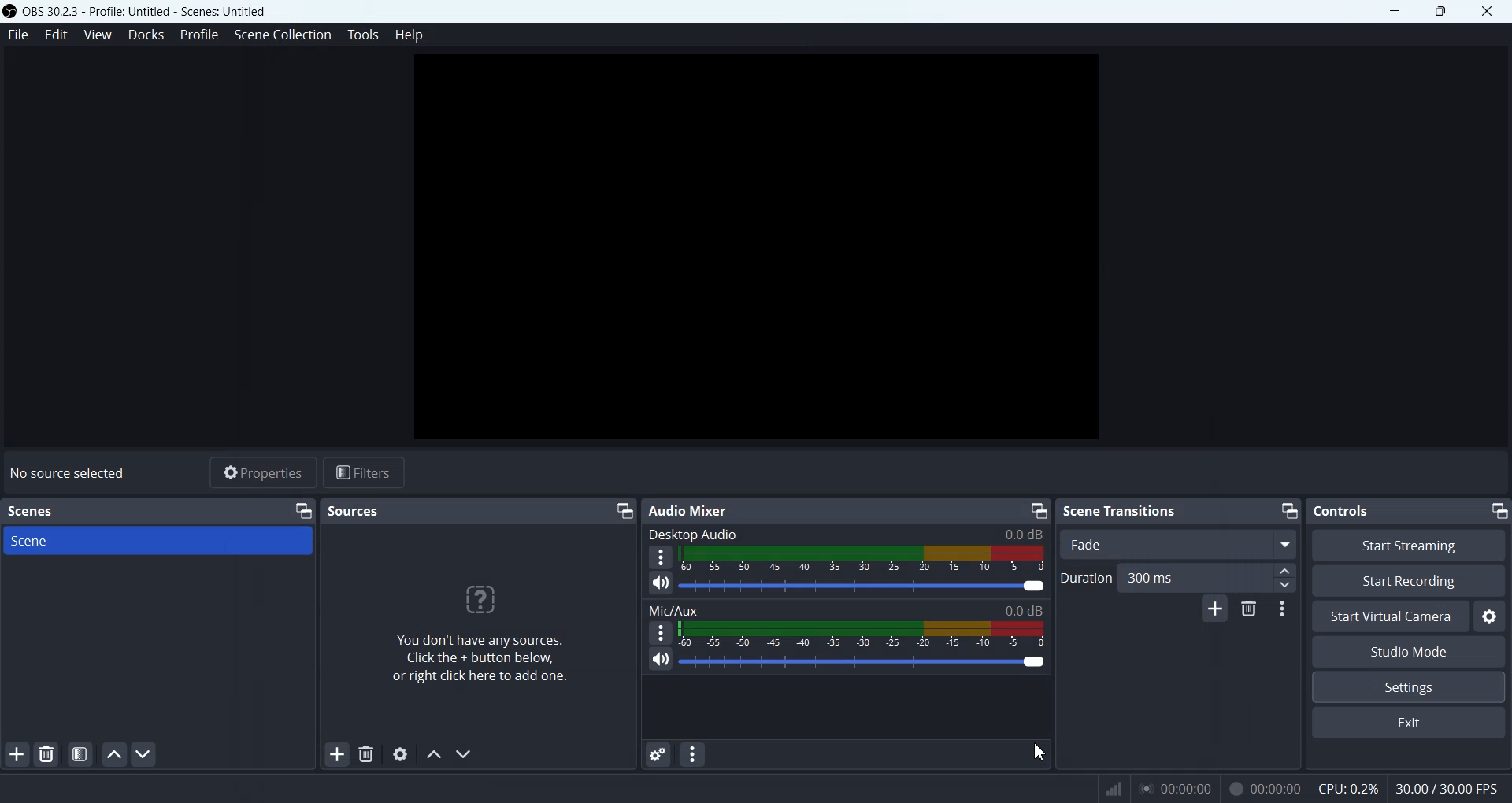 The image size is (1512, 803). What do you see at coordinates (97, 35) in the screenshot?
I see `View` at bounding box center [97, 35].